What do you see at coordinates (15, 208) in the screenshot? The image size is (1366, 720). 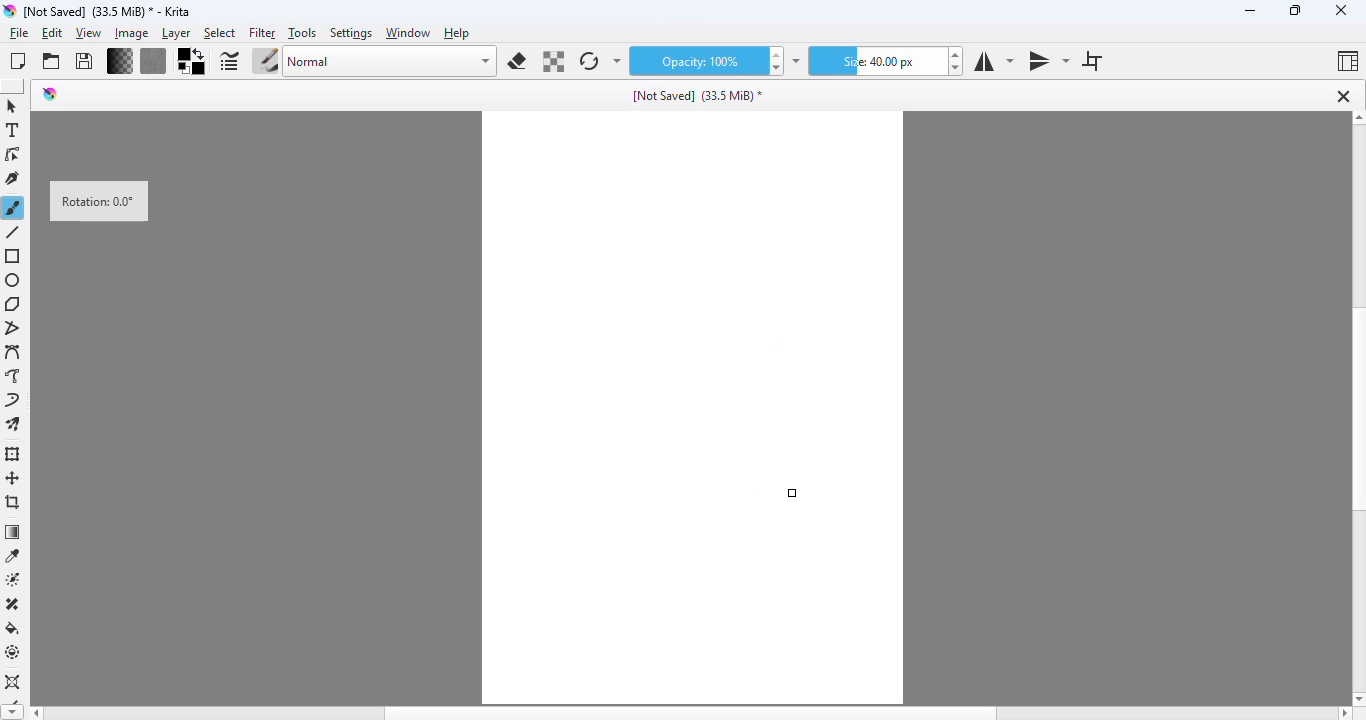 I see `freehand brush tool` at bounding box center [15, 208].